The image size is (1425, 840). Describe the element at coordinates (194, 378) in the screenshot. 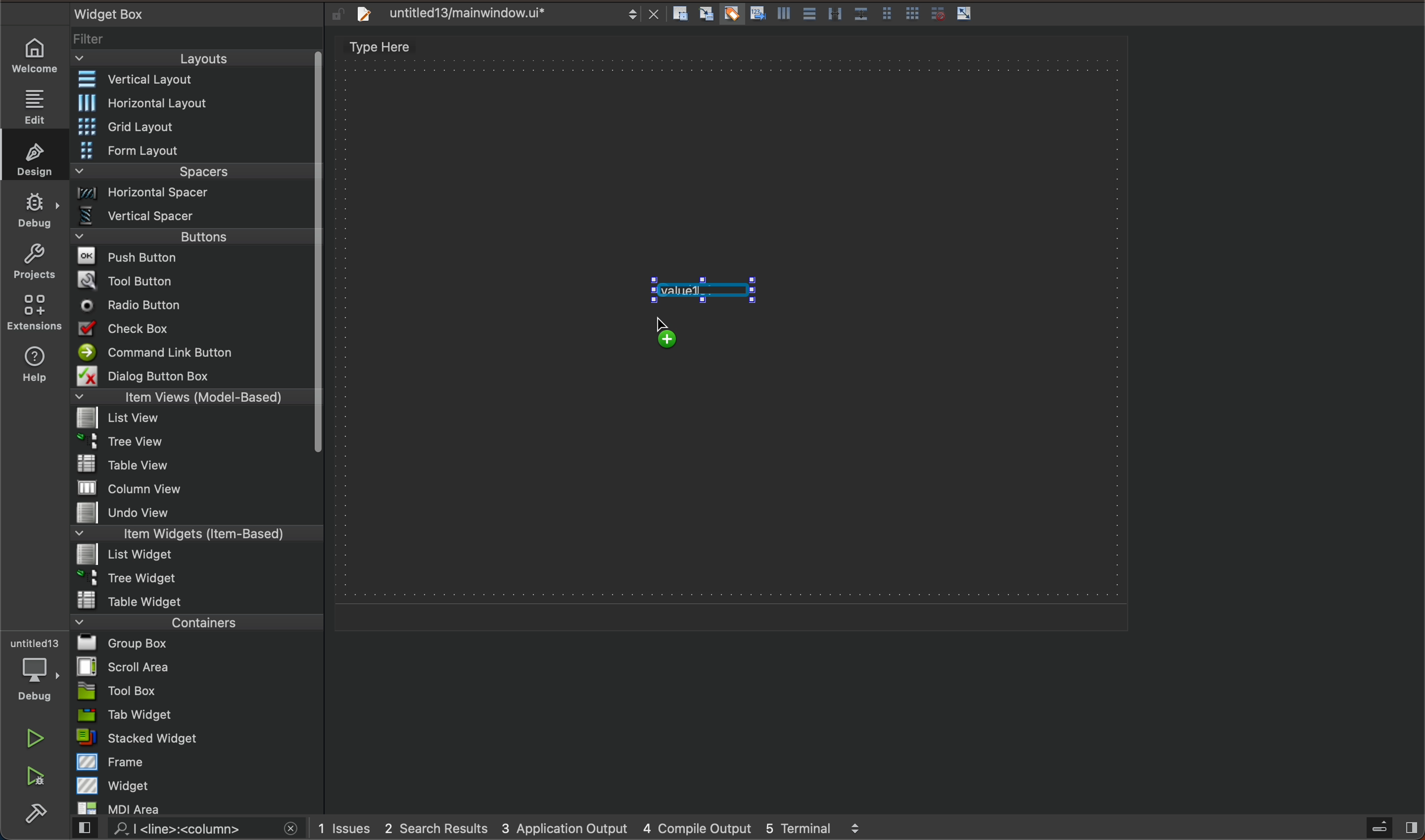

I see `dialong button` at that location.